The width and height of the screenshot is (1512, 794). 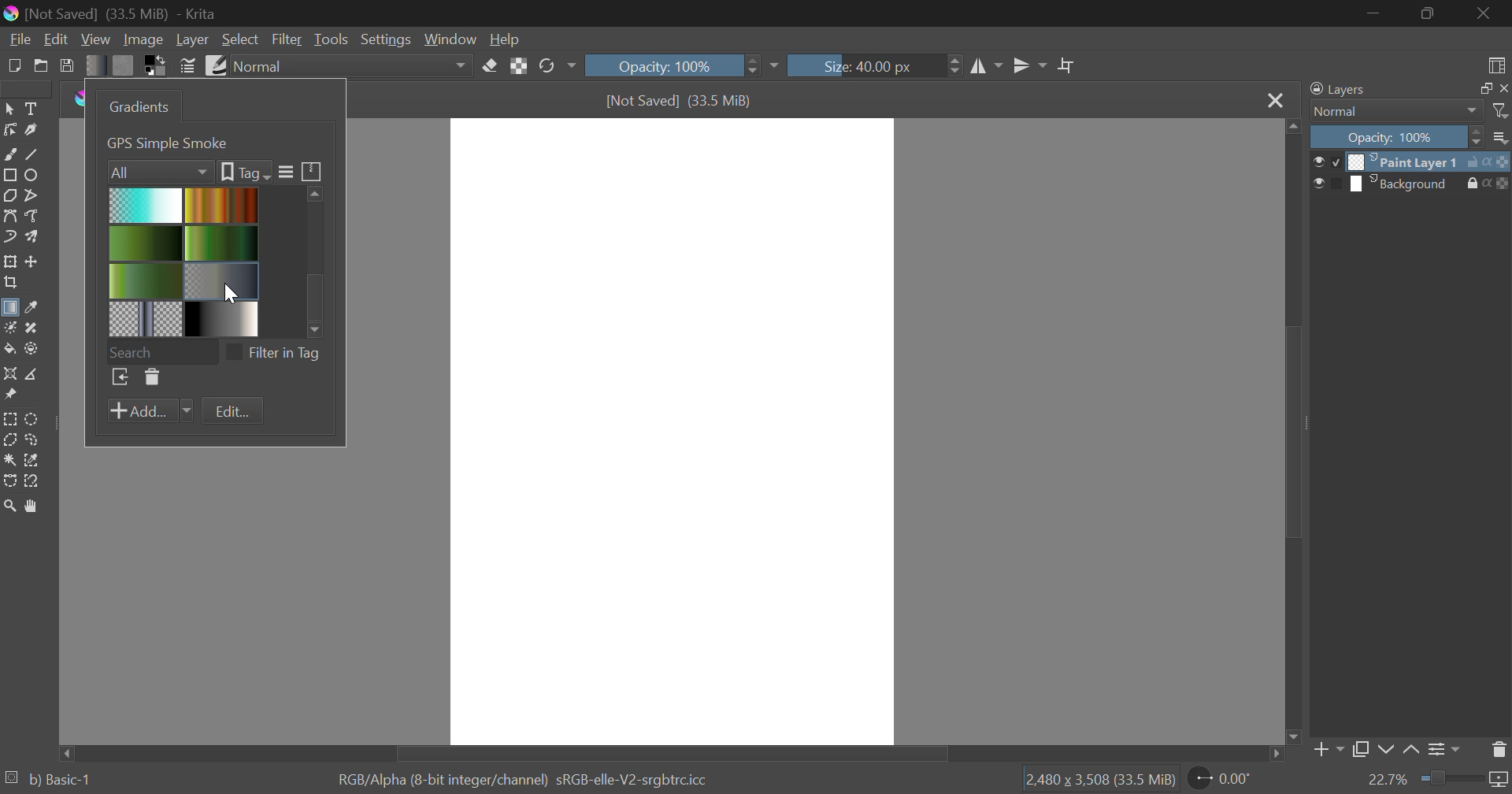 What do you see at coordinates (9, 397) in the screenshot?
I see `Reference Images` at bounding box center [9, 397].